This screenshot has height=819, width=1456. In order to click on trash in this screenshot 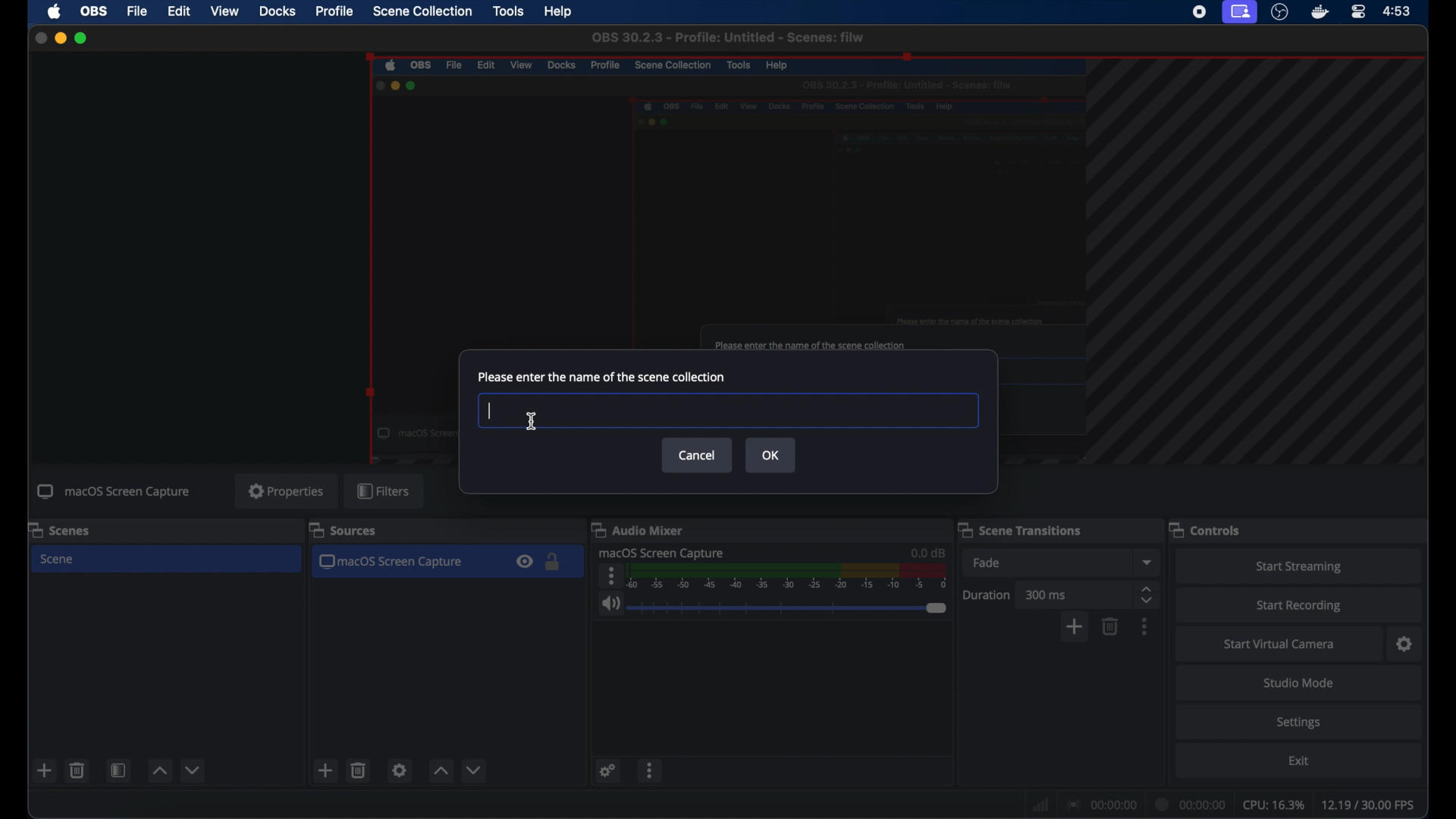, I will do `click(77, 770)`.